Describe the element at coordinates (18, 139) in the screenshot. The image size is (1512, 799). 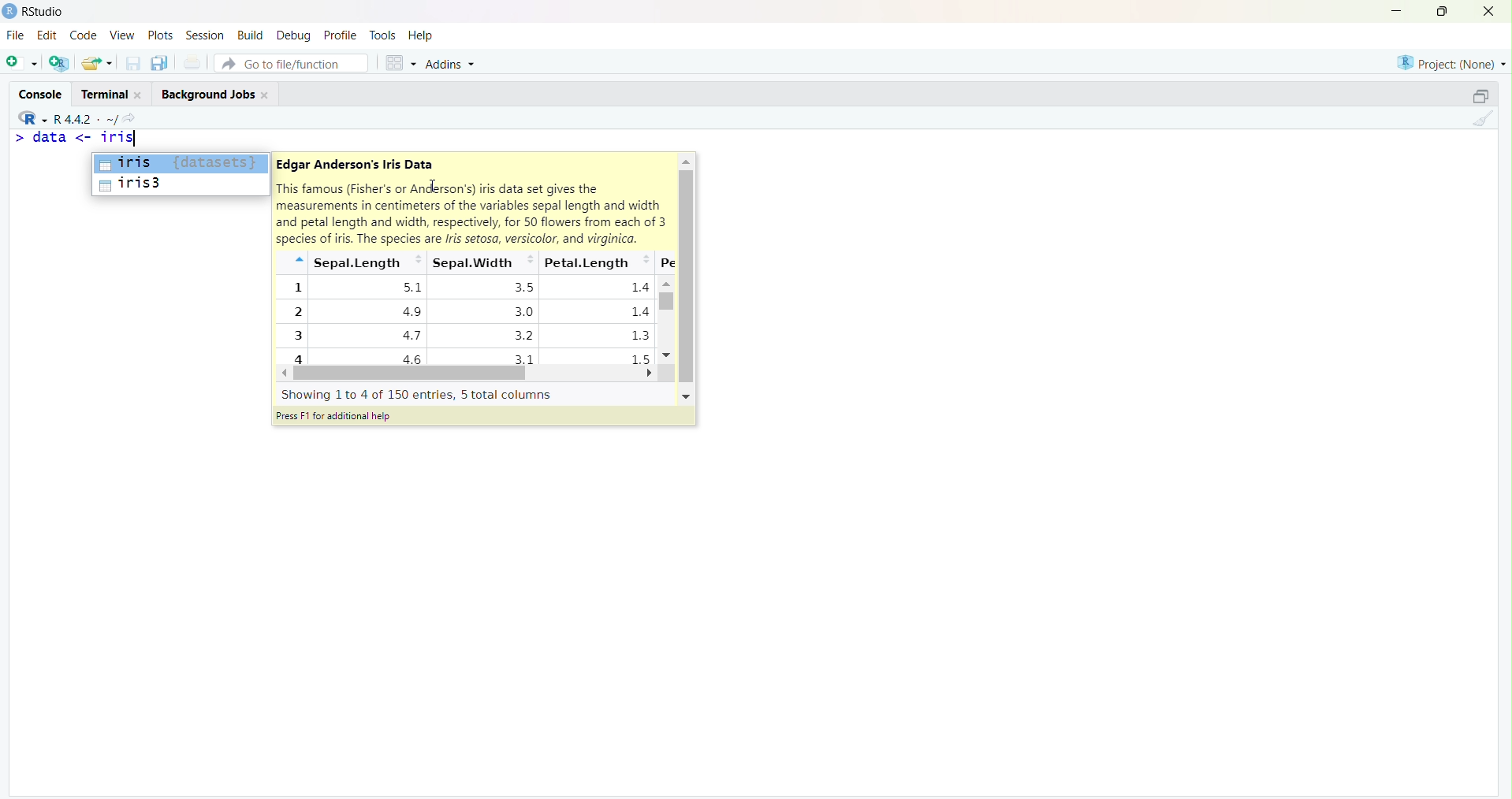
I see `Prompt cursor` at that location.